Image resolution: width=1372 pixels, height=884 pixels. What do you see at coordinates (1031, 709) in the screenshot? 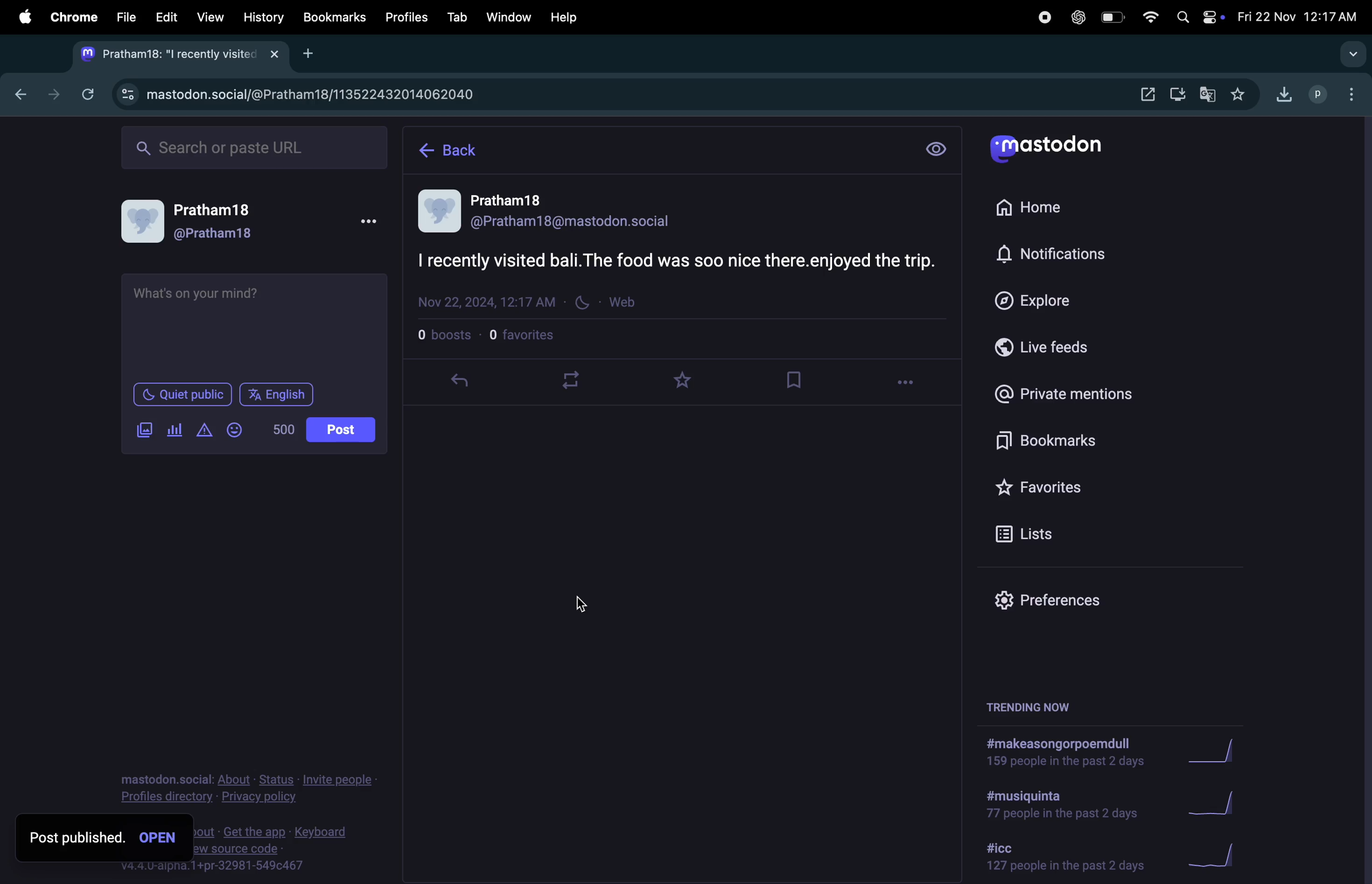
I see `trending now` at bounding box center [1031, 709].